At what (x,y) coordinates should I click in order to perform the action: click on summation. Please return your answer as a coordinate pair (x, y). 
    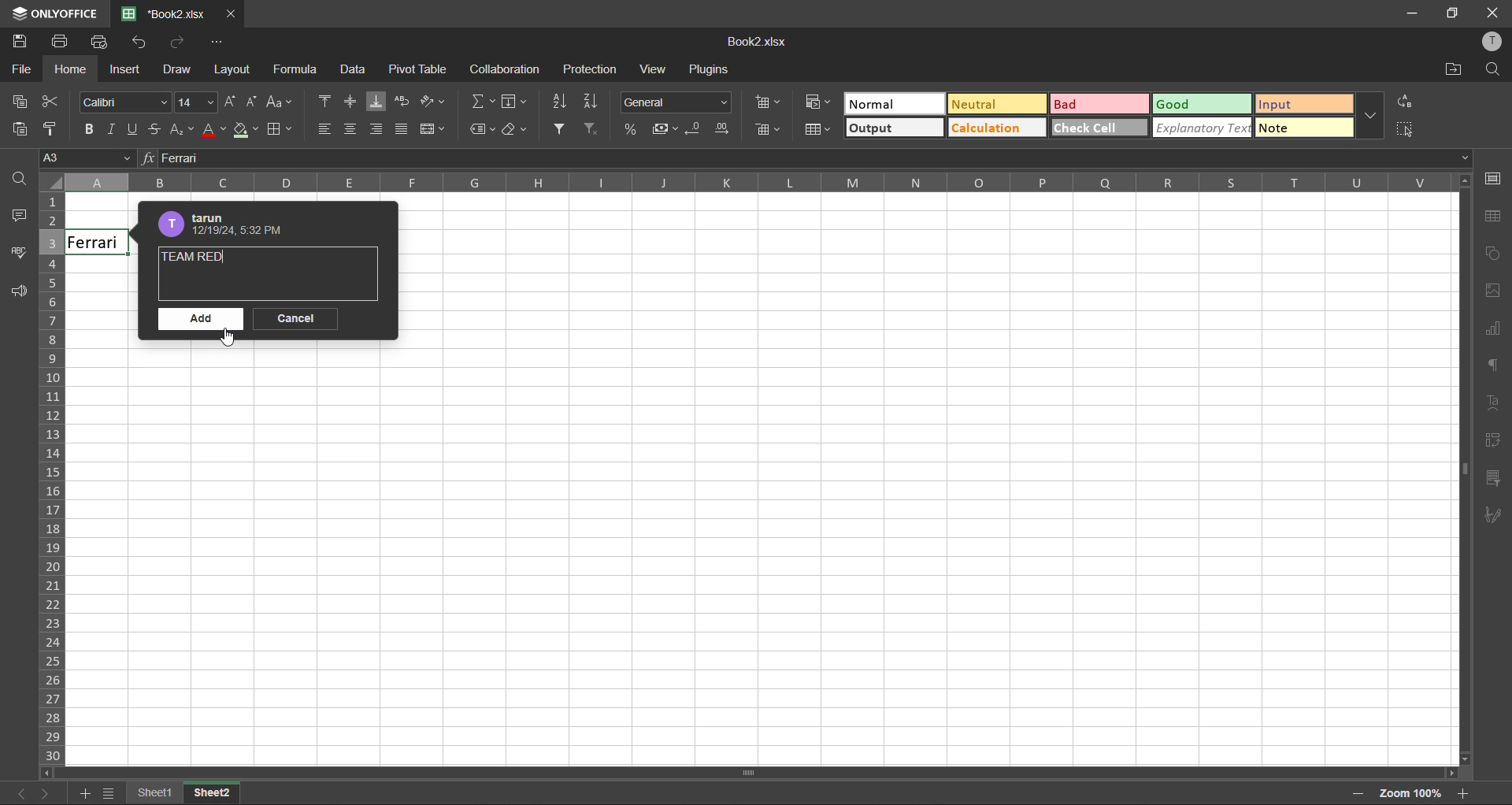
    Looking at the image, I should click on (480, 101).